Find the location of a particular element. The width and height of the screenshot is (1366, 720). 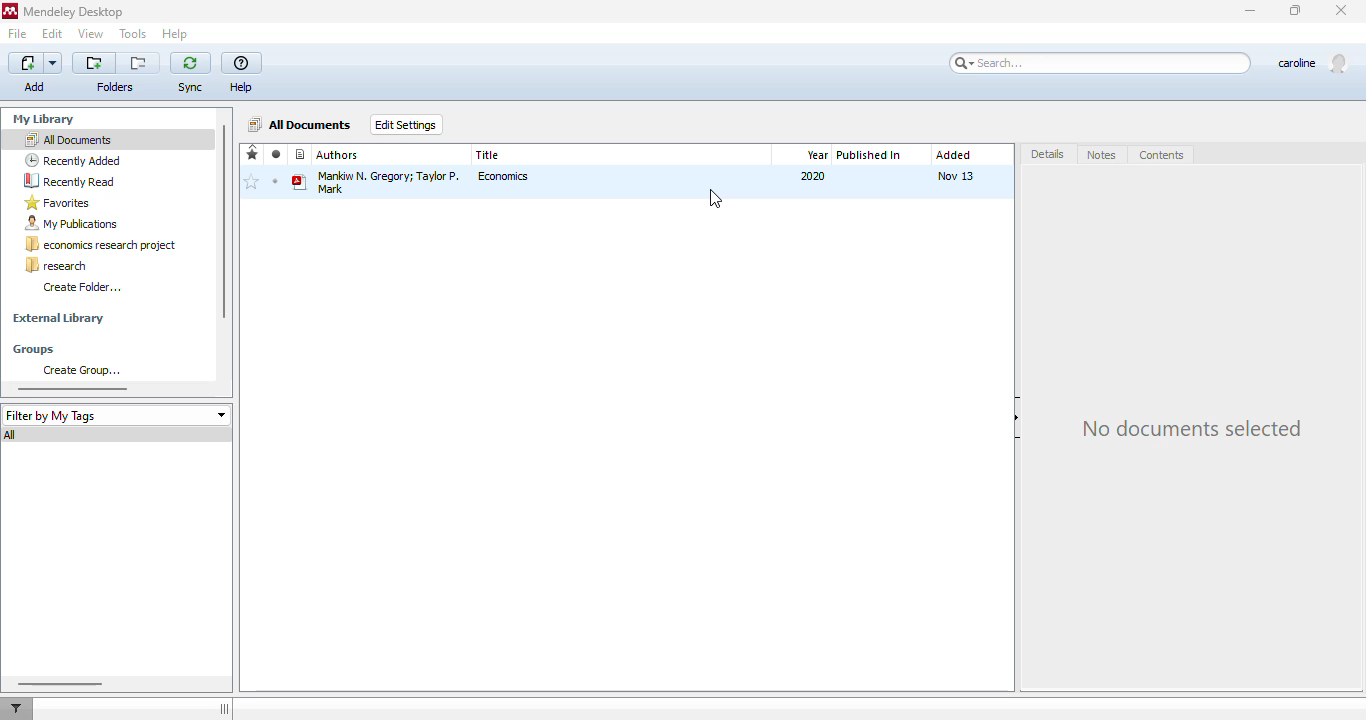

authors is located at coordinates (338, 155).